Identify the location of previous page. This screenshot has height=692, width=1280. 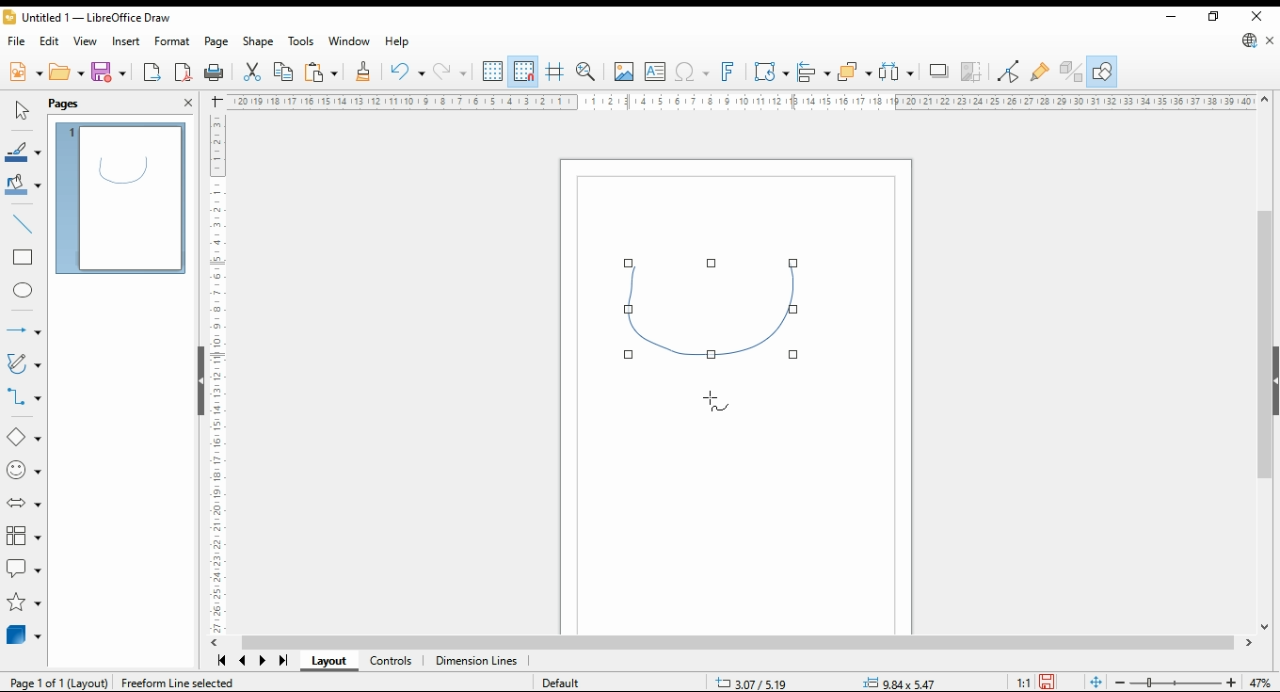
(244, 660).